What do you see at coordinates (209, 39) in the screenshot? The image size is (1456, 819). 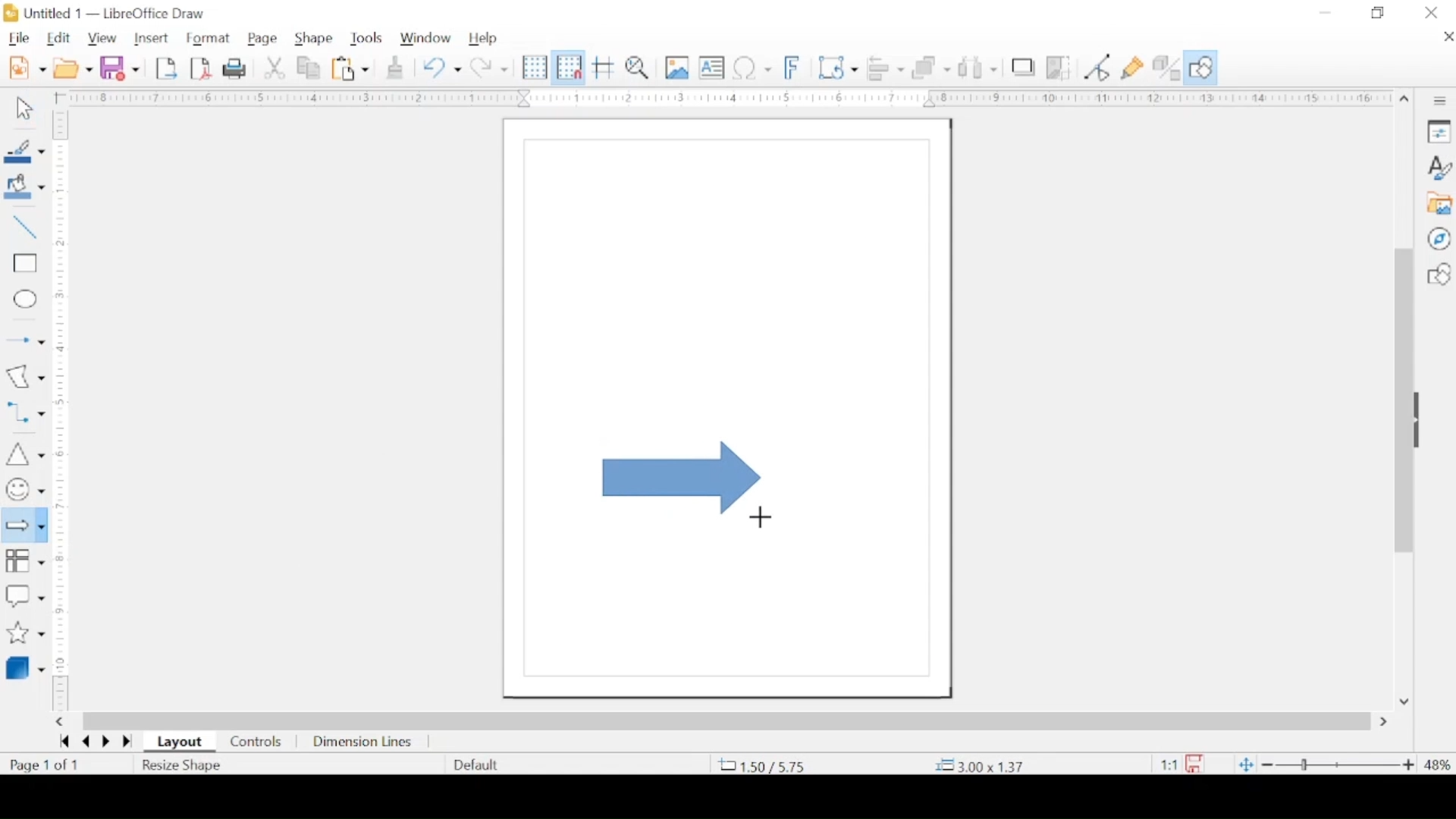 I see `format` at bounding box center [209, 39].